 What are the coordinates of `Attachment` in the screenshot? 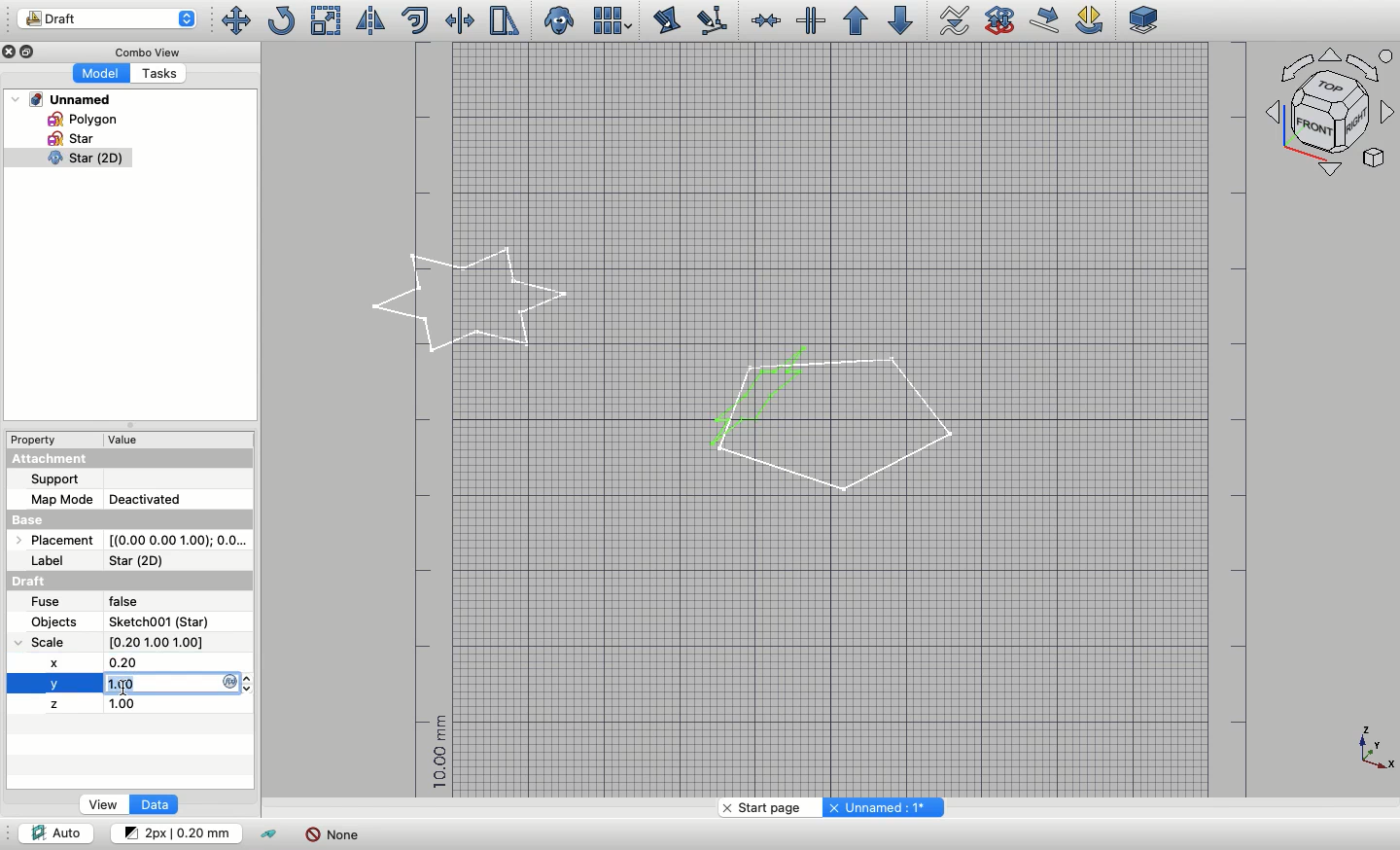 It's located at (129, 458).